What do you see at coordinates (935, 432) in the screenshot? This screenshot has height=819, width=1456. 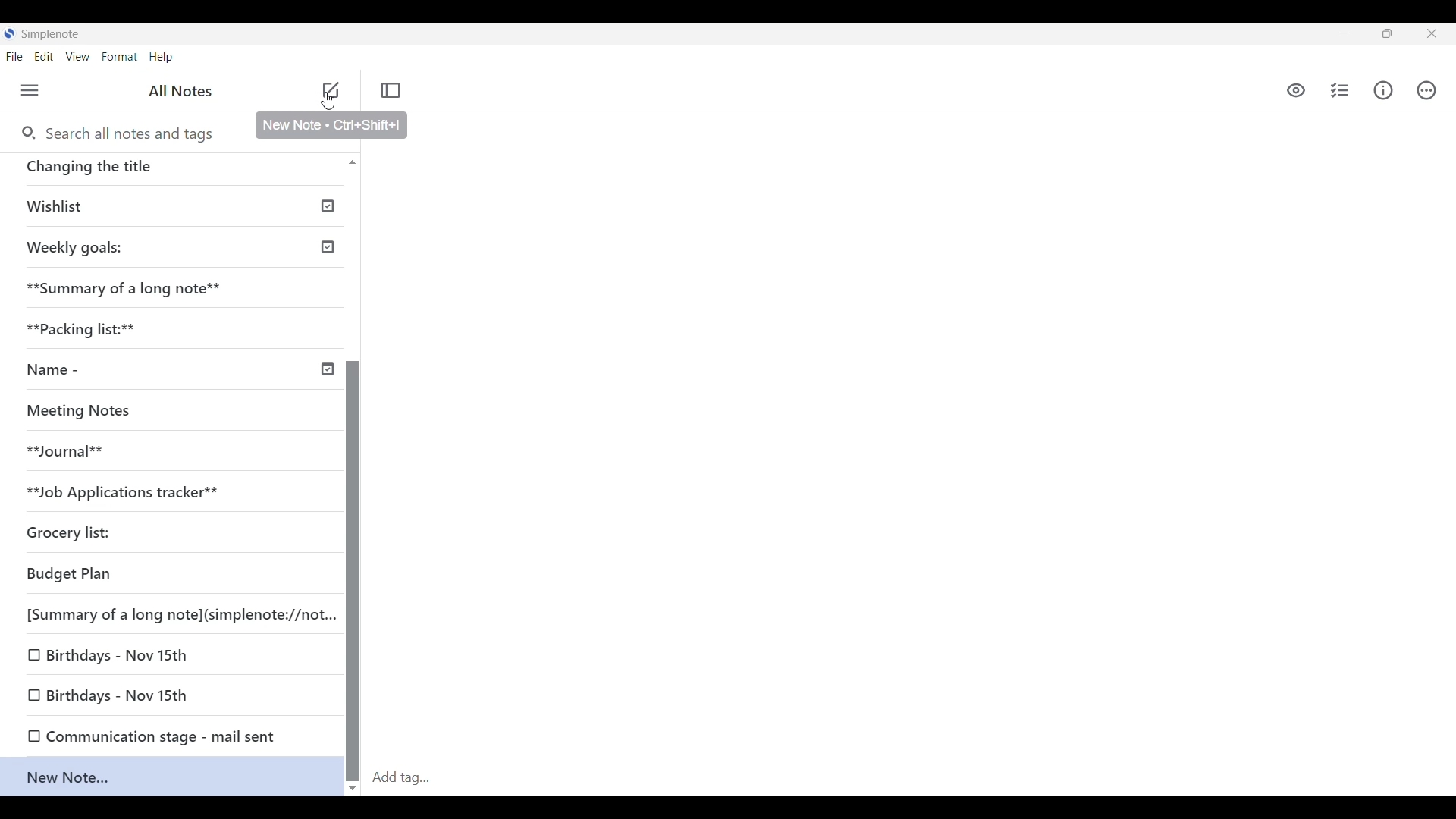 I see `note editor pane` at bounding box center [935, 432].